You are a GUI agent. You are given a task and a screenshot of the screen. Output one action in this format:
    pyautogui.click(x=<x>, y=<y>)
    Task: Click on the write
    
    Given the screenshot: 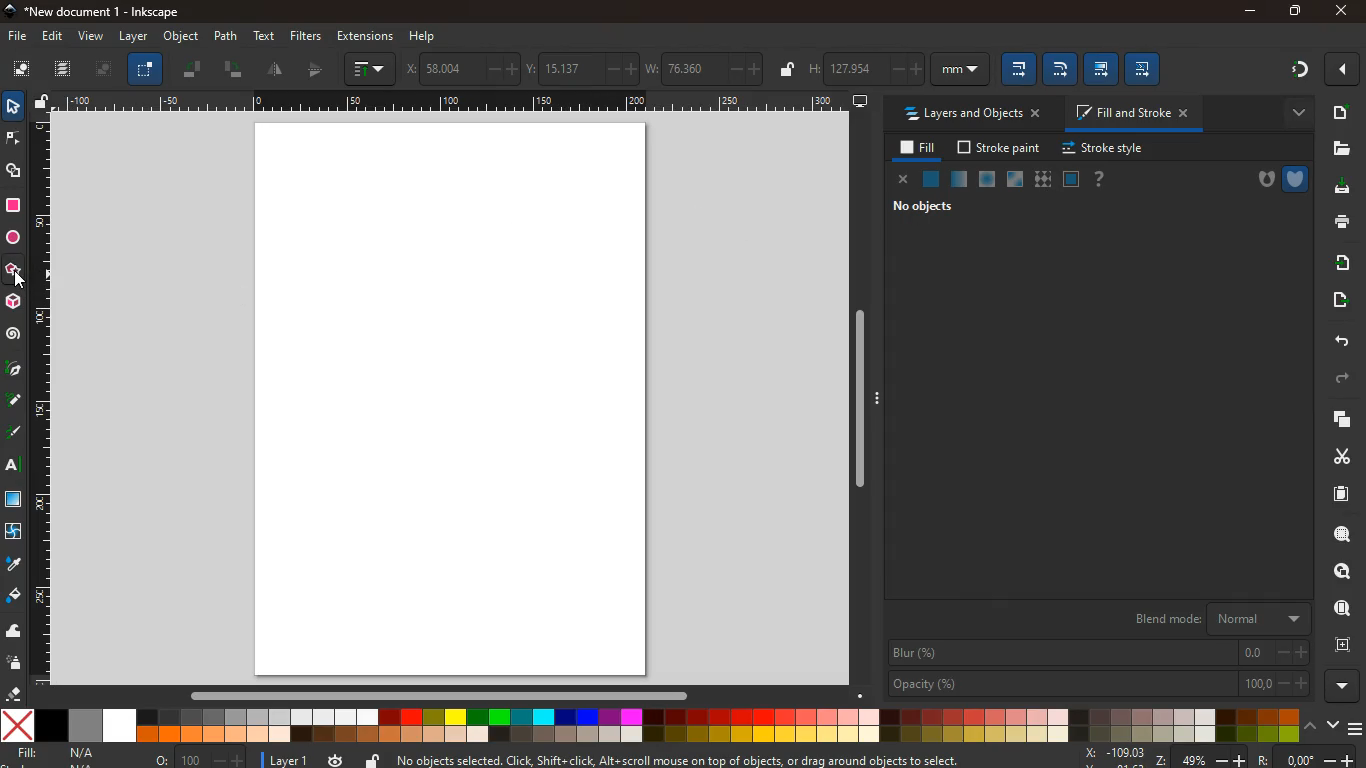 What is the action you would take?
    pyautogui.click(x=14, y=430)
    